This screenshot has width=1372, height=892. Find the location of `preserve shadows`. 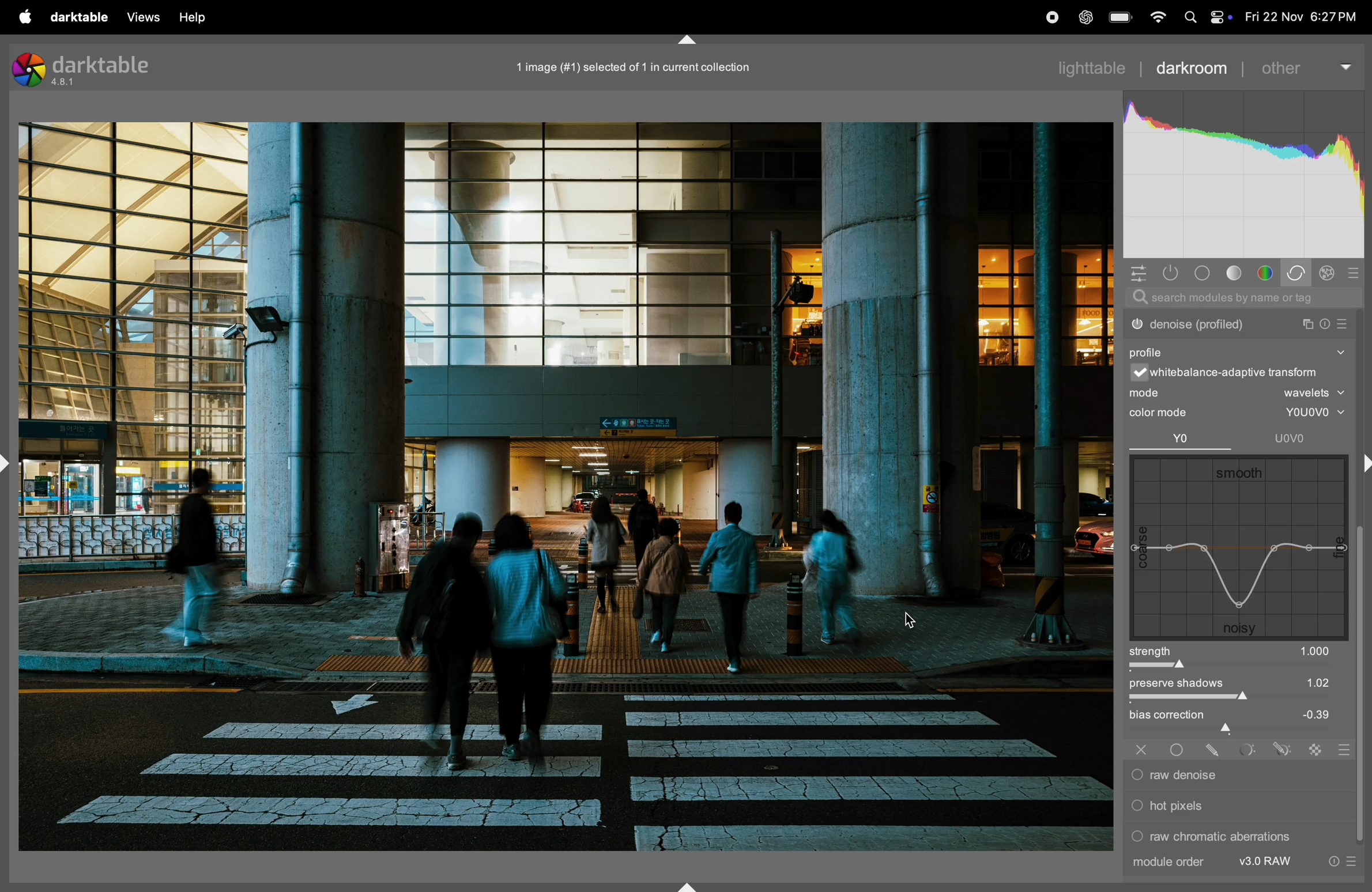

preserve shadows is located at coordinates (1237, 689).